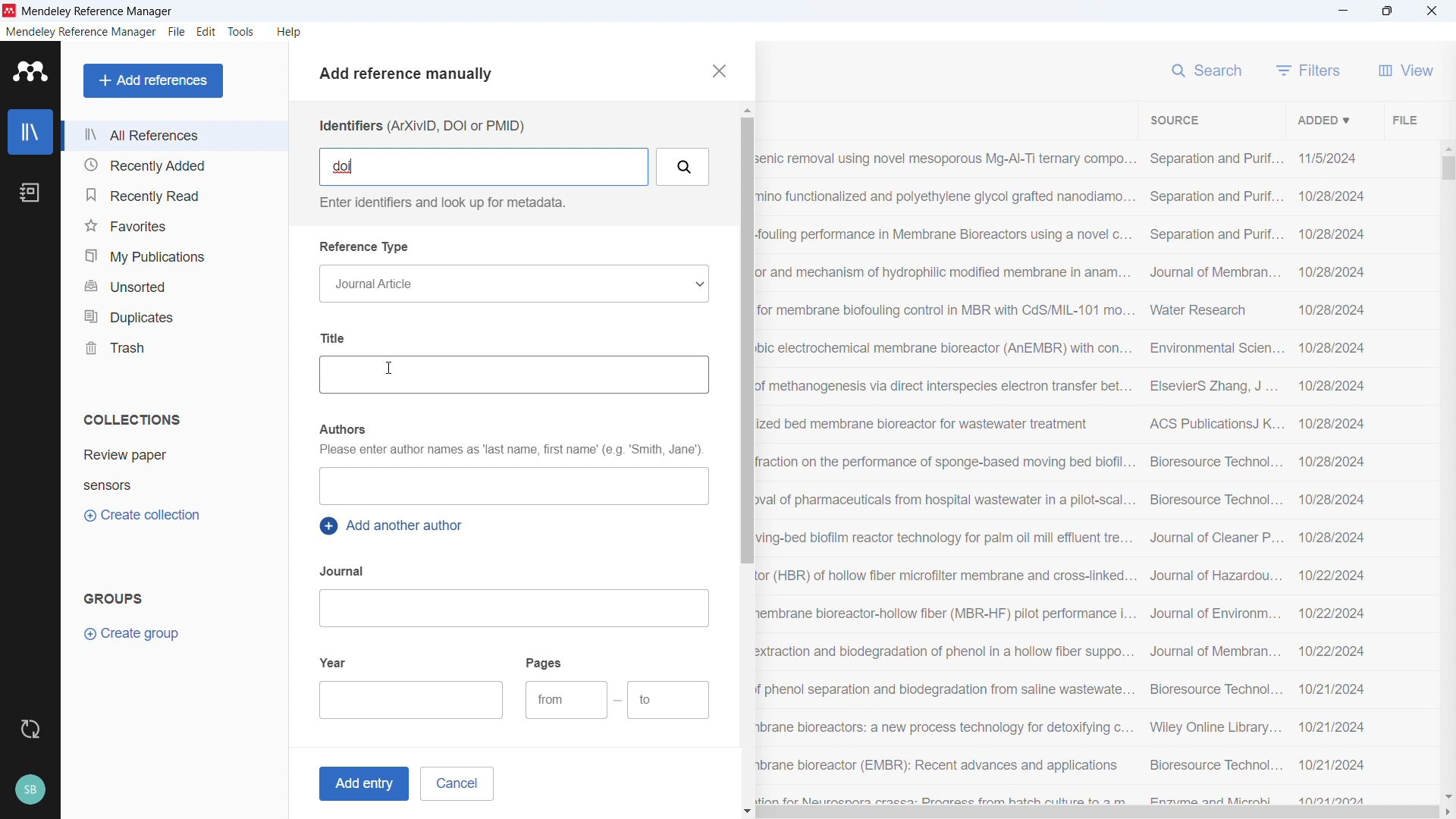 This screenshot has height=819, width=1456. Describe the element at coordinates (133, 634) in the screenshot. I see `Create group ` at that location.